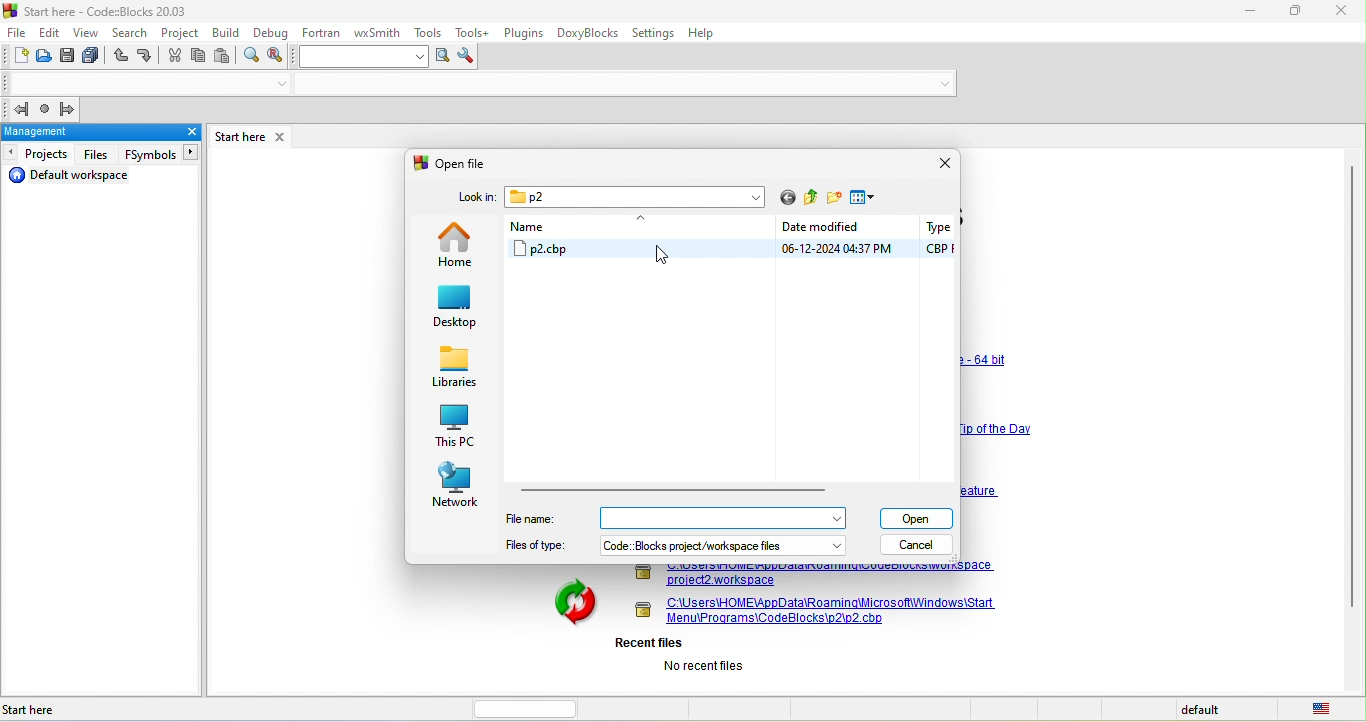 This screenshot has width=1366, height=722. What do you see at coordinates (786, 200) in the screenshot?
I see `go to last folder` at bounding box center [786, 200].